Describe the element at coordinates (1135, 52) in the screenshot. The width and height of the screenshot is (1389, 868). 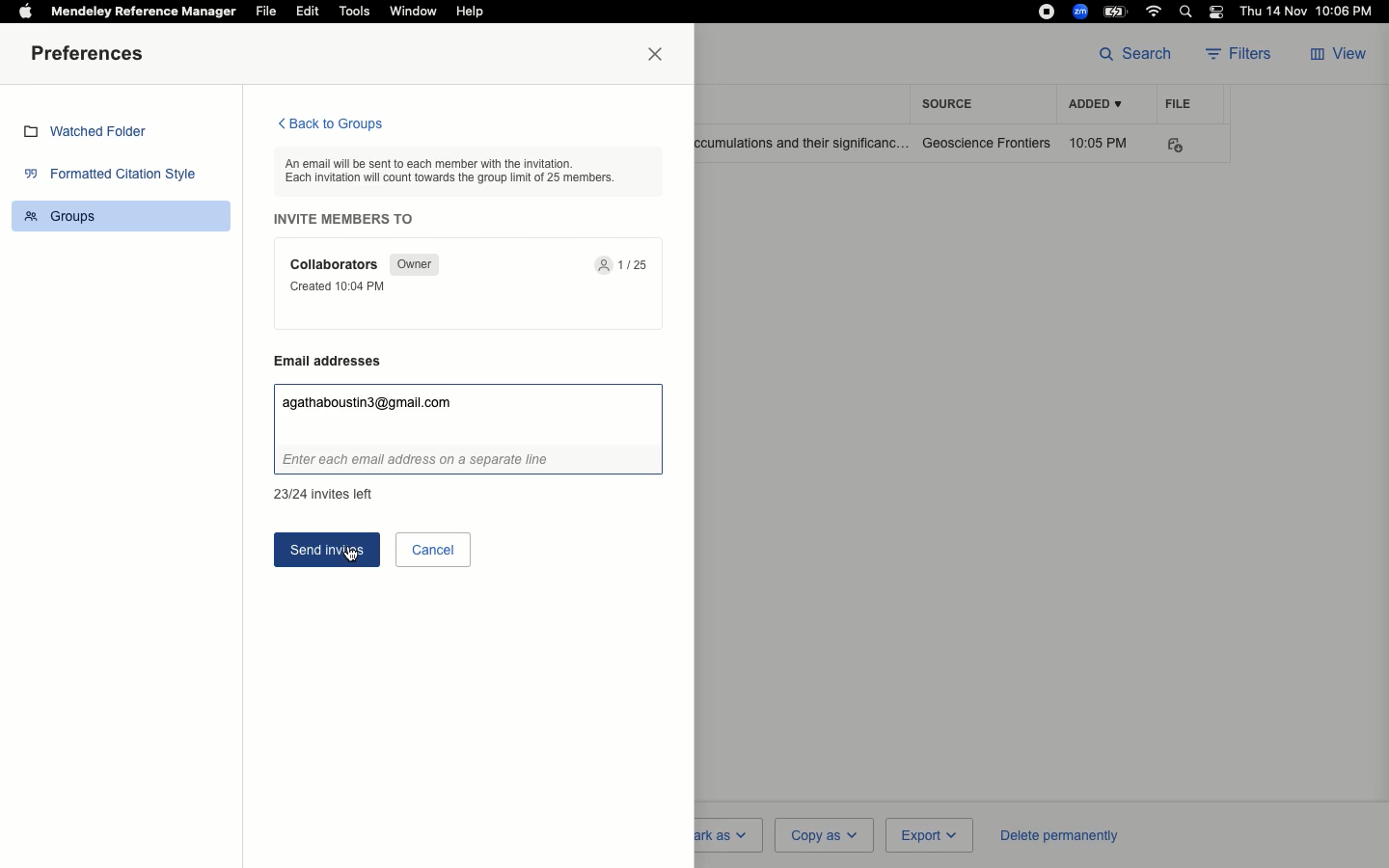
I see `Search` at that location.